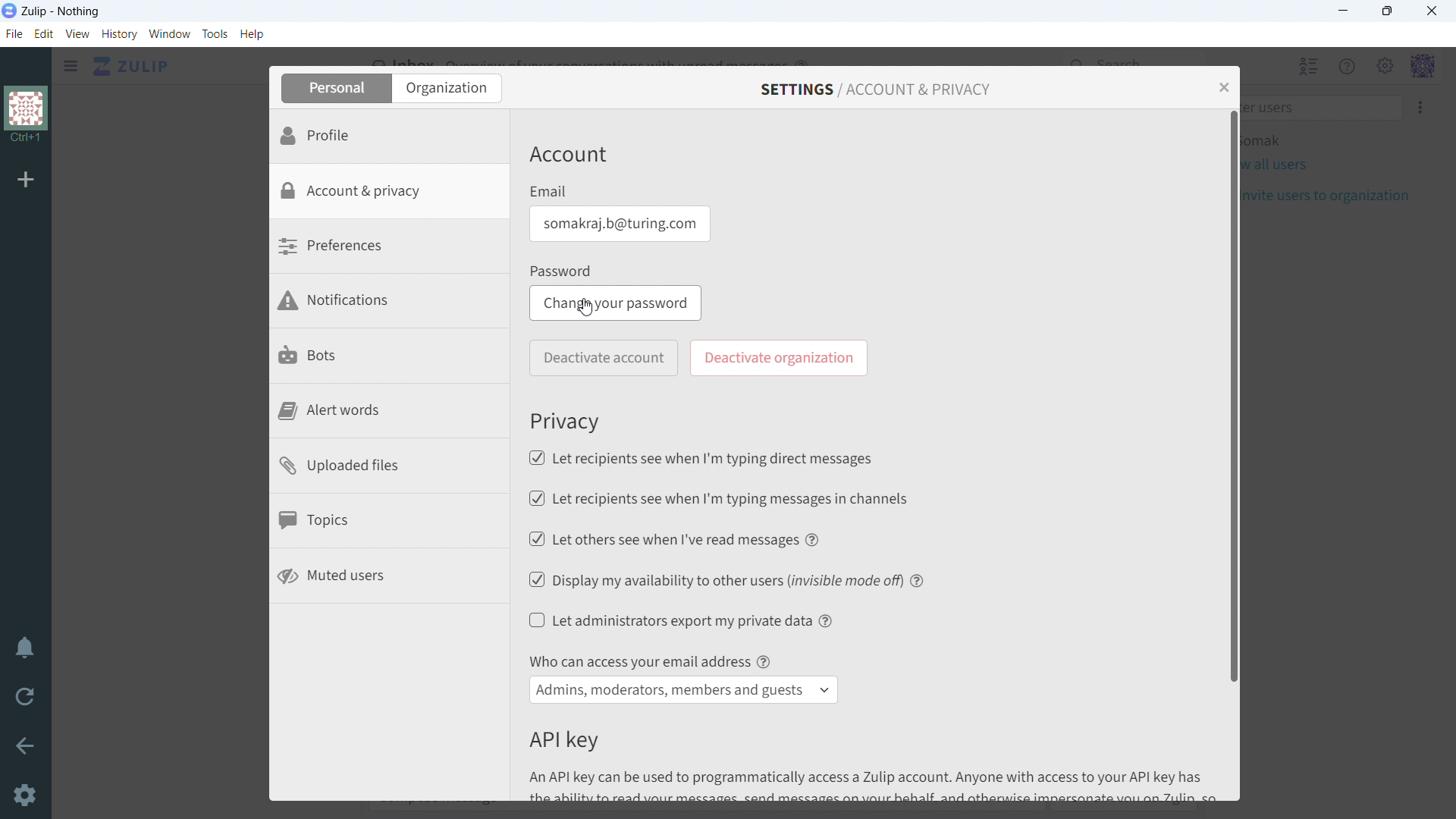 This screenshot has height=819, width=1456. Describe the element at coordinates (252, 33) in the screenshot. I see `help` at that location.